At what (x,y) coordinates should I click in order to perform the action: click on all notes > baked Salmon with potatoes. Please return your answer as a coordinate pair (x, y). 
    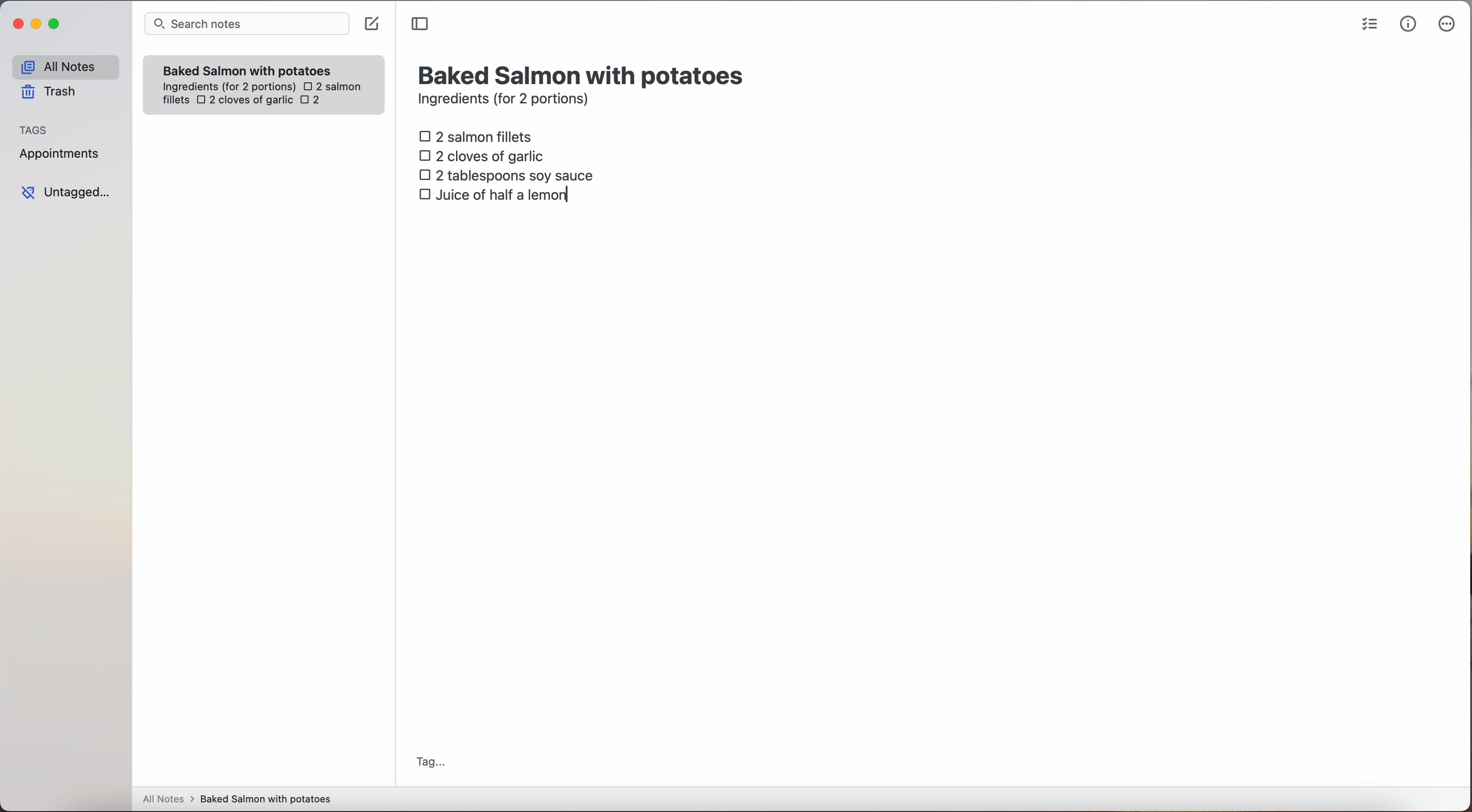
    Looking at the image, I should click on (237, 798).